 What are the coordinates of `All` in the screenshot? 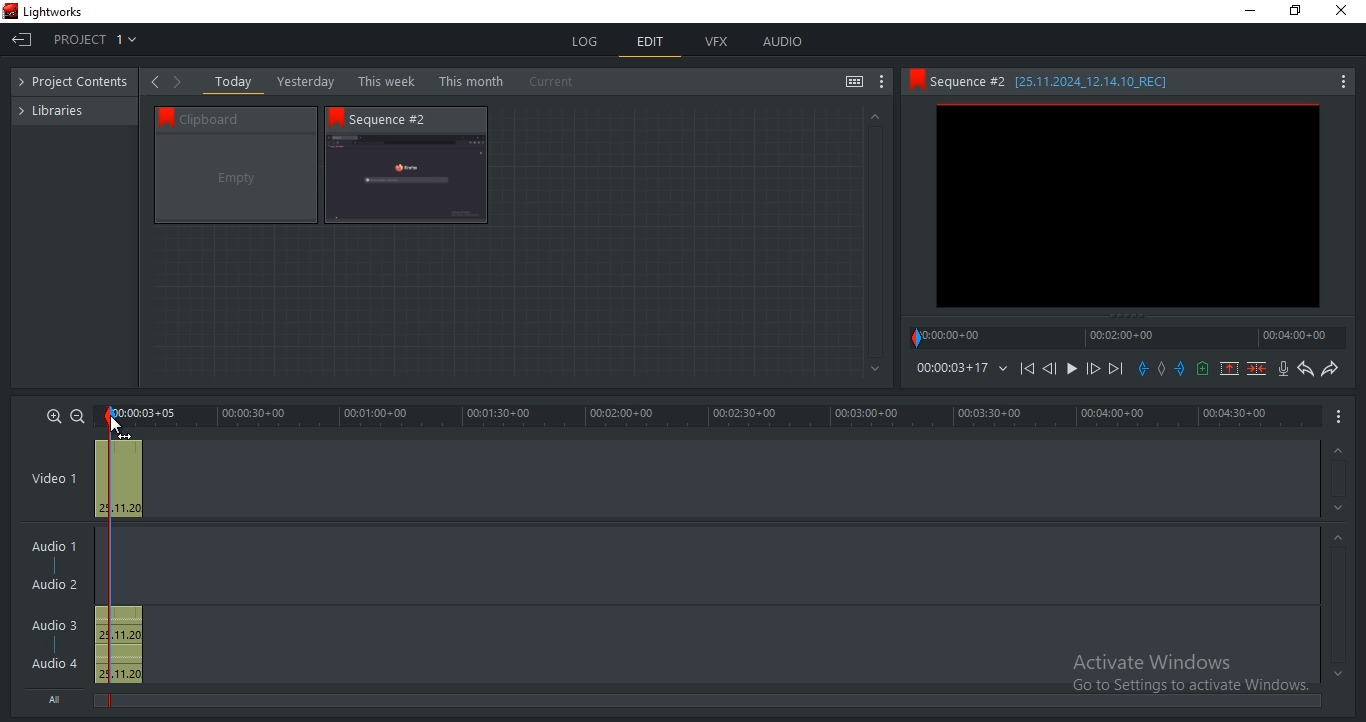 It's located at (59, 697).